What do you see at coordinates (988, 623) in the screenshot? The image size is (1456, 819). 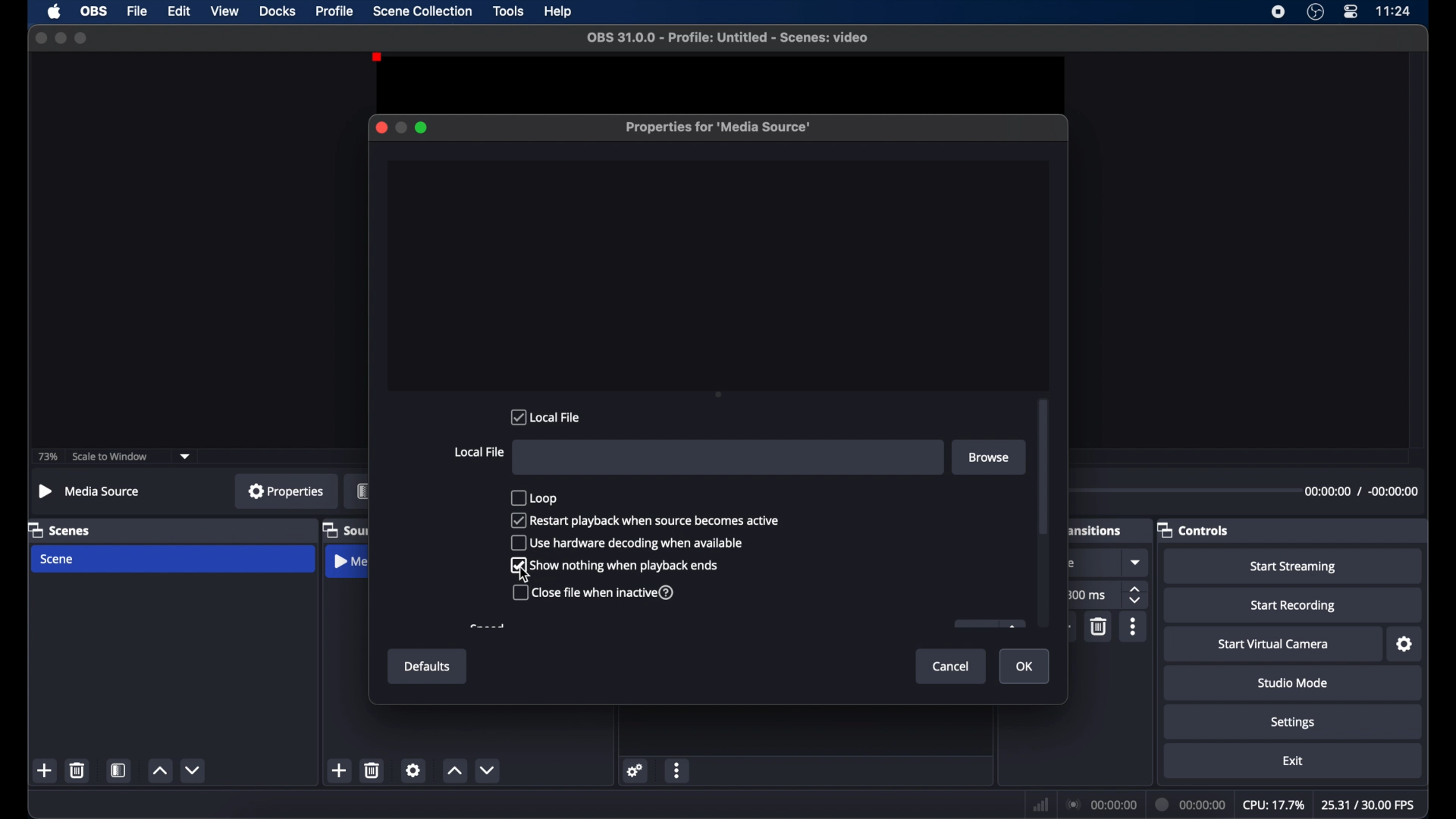 I see `obscure icon` at bounding box center [988, 623].